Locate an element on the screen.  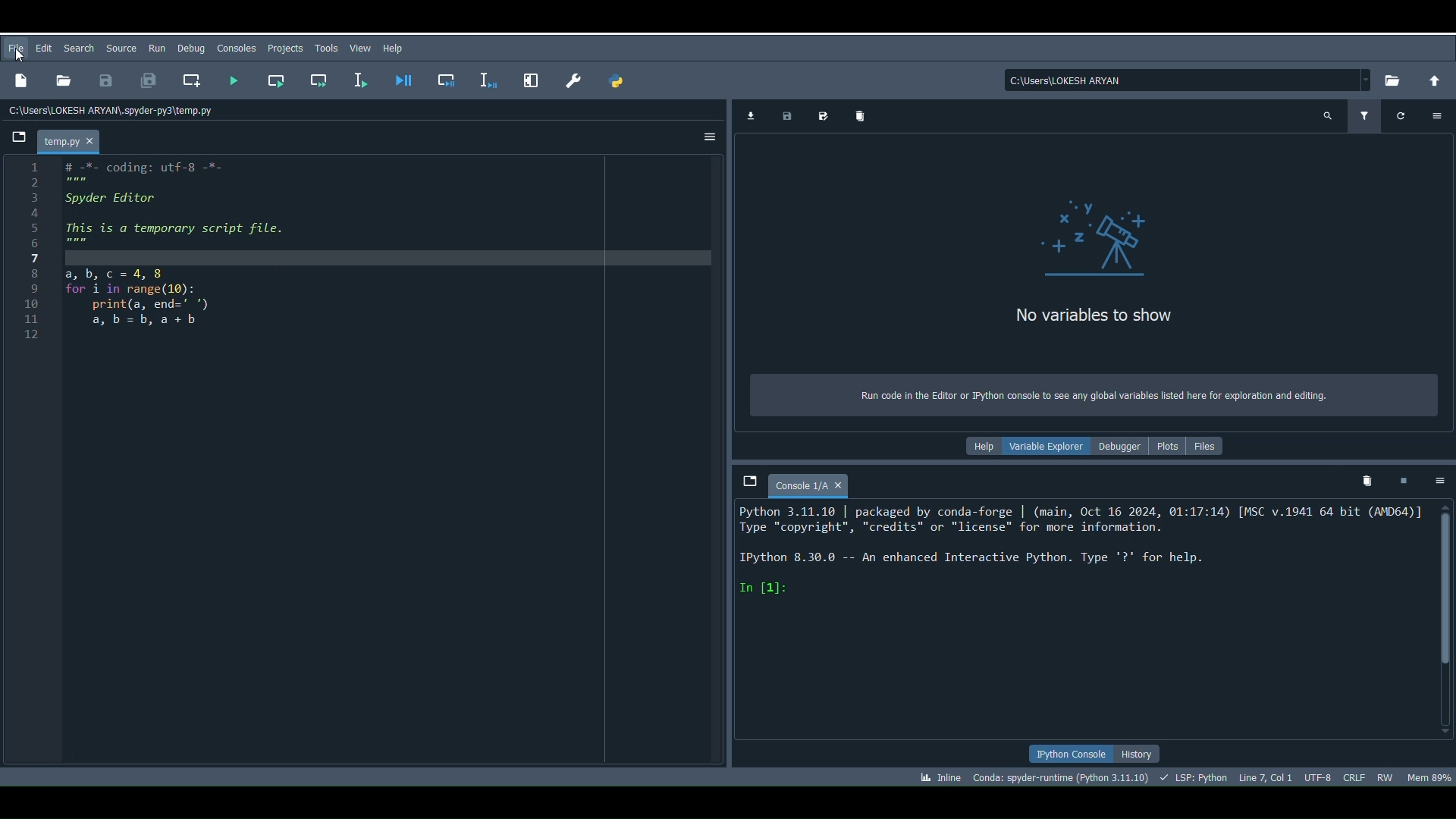
C:\Users\LOKESH ARYAN\.spyder-py3\temp.py is located at coordinates (119, 113).